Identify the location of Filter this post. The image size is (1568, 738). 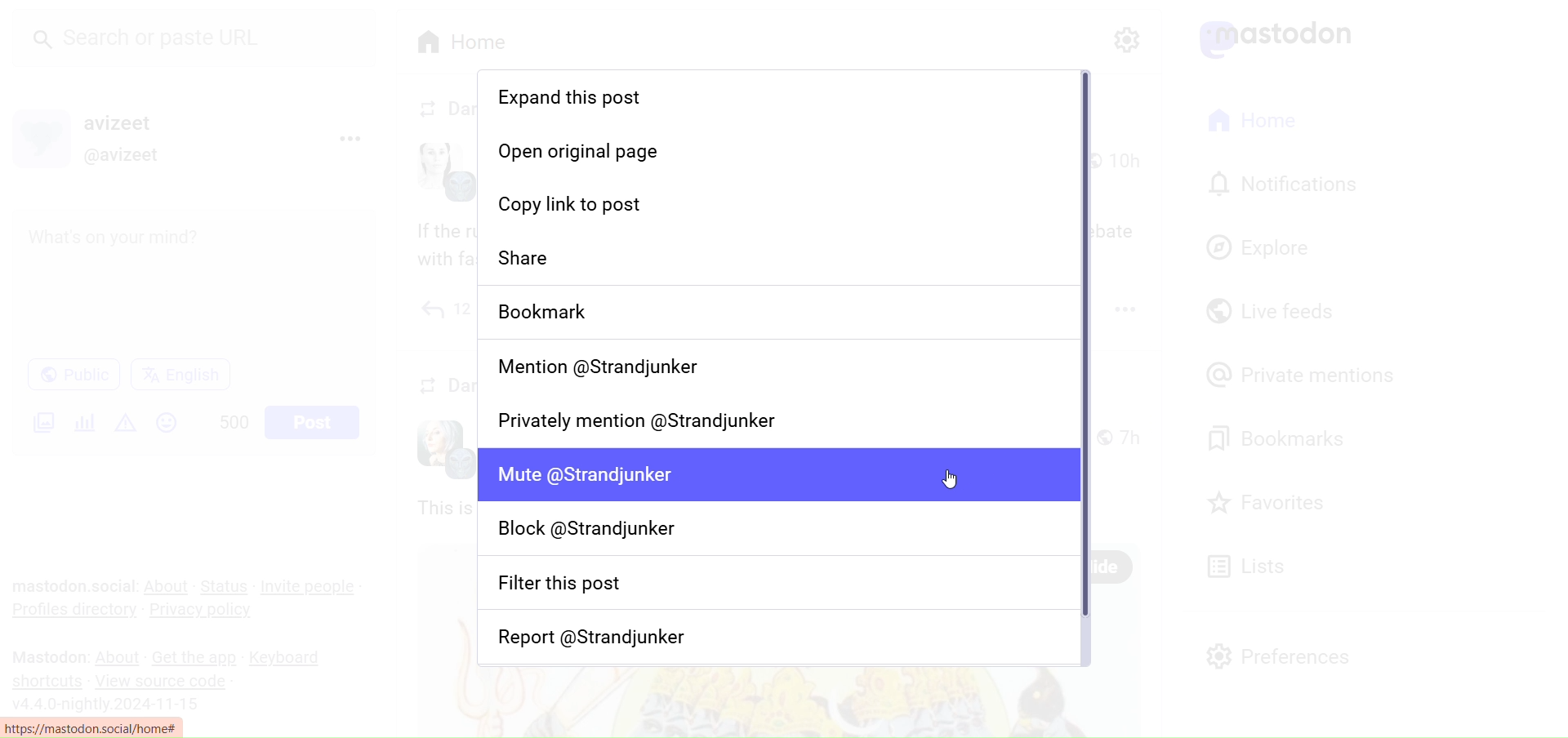
(773, 587).